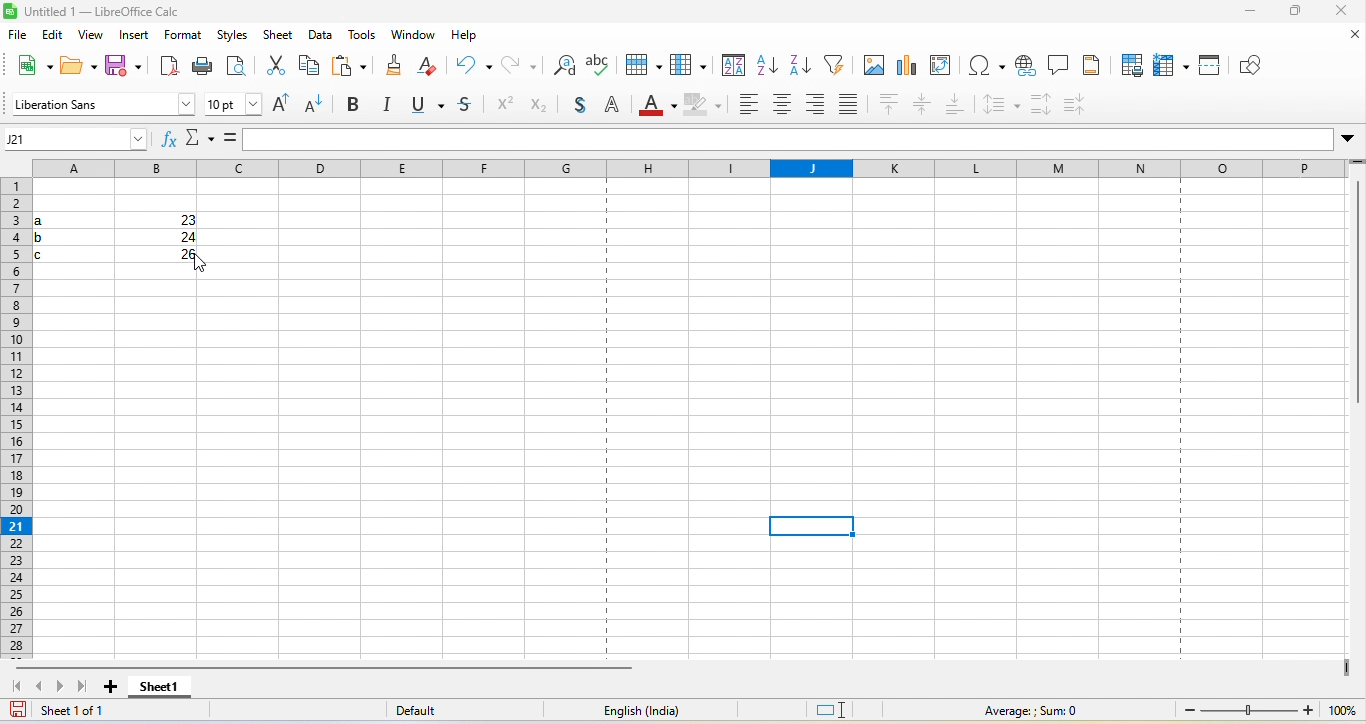  What do you see at coordinates (55, 35) in the screenshot?
I see `edit` at bounding box center [55, 35].